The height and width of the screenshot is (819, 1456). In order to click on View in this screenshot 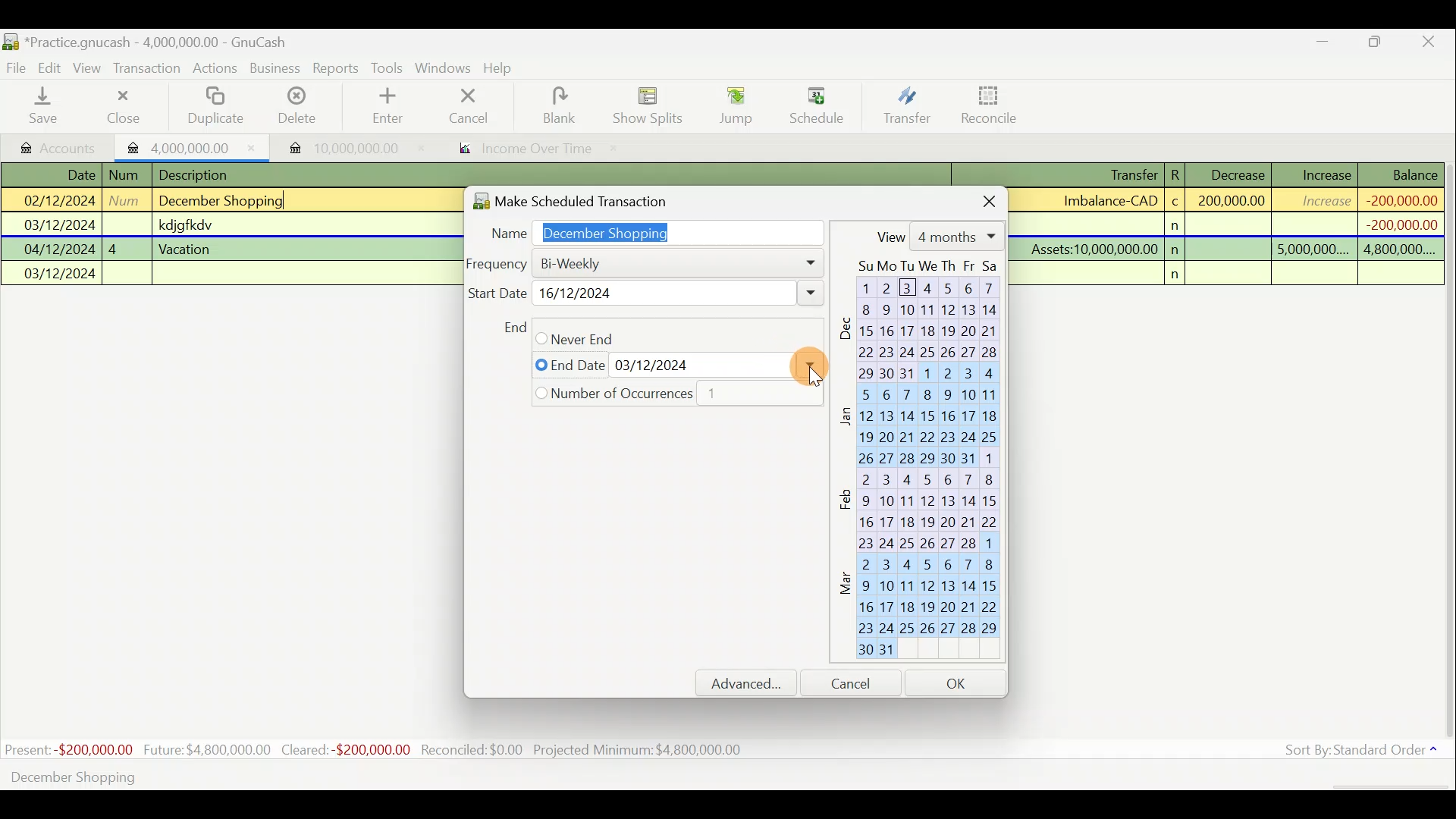, I will do `click(937, 236)`.